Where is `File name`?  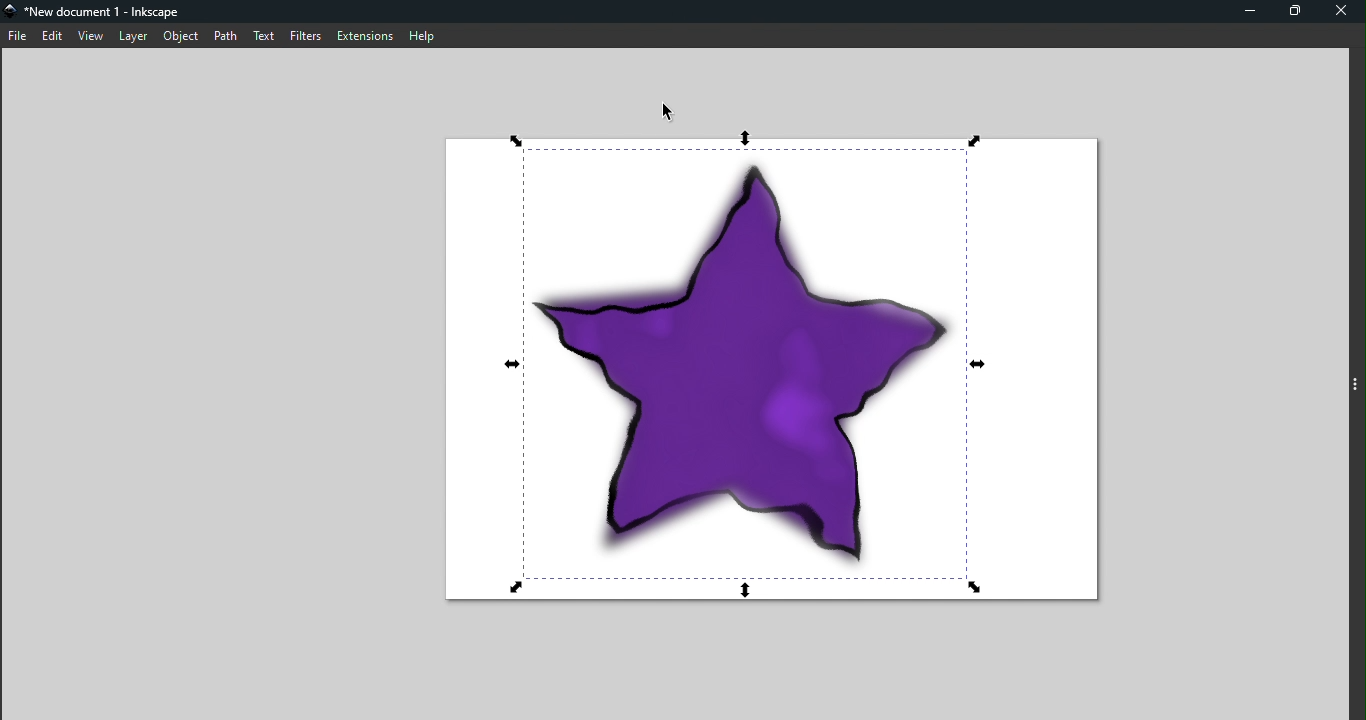 File name is located at coordinates (96, 10).